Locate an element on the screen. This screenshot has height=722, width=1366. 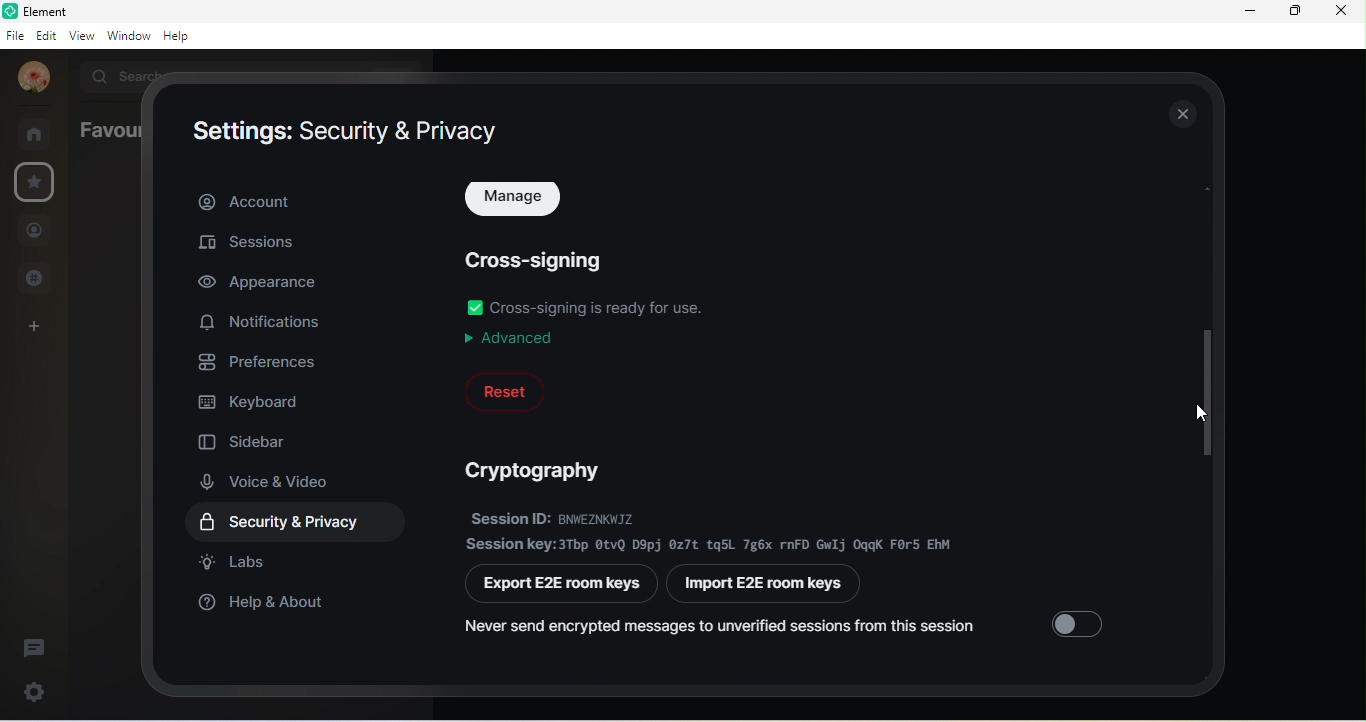
account is located at coordinates (298, 200).